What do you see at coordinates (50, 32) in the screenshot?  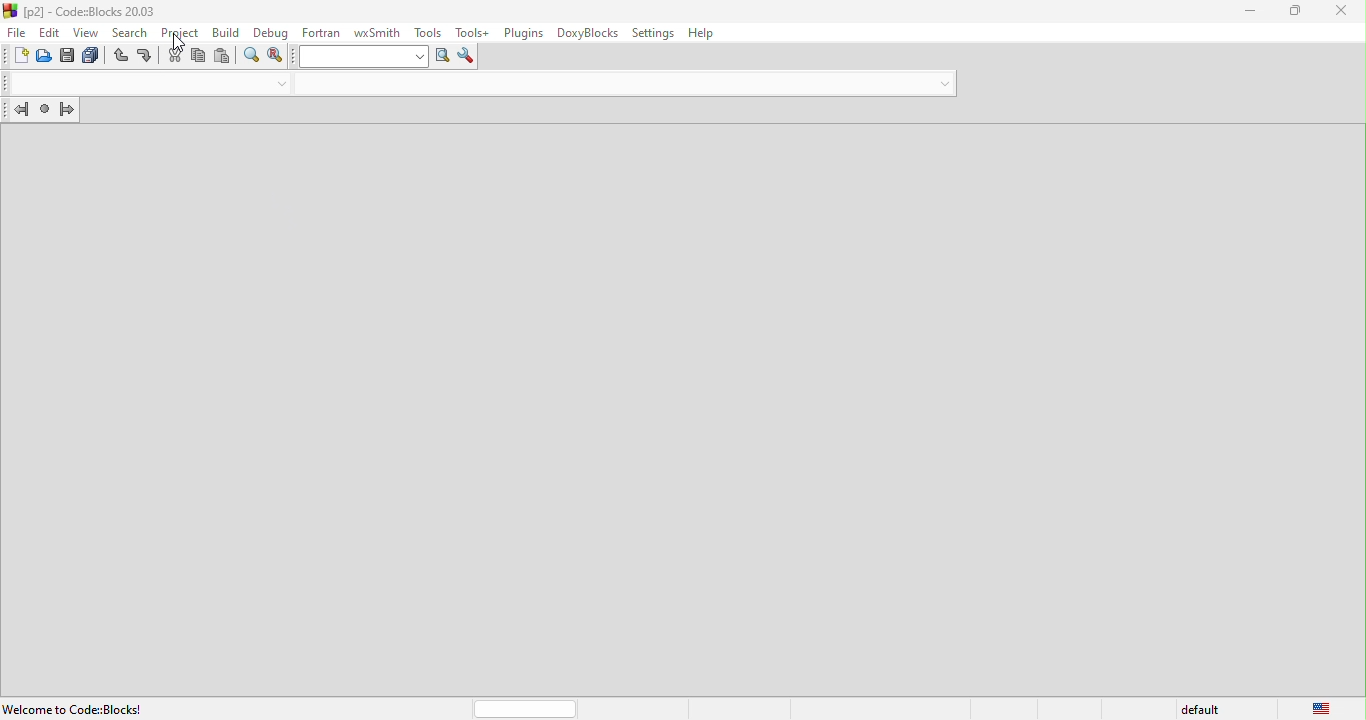 I see `edit` at bounding box center [50, 32].